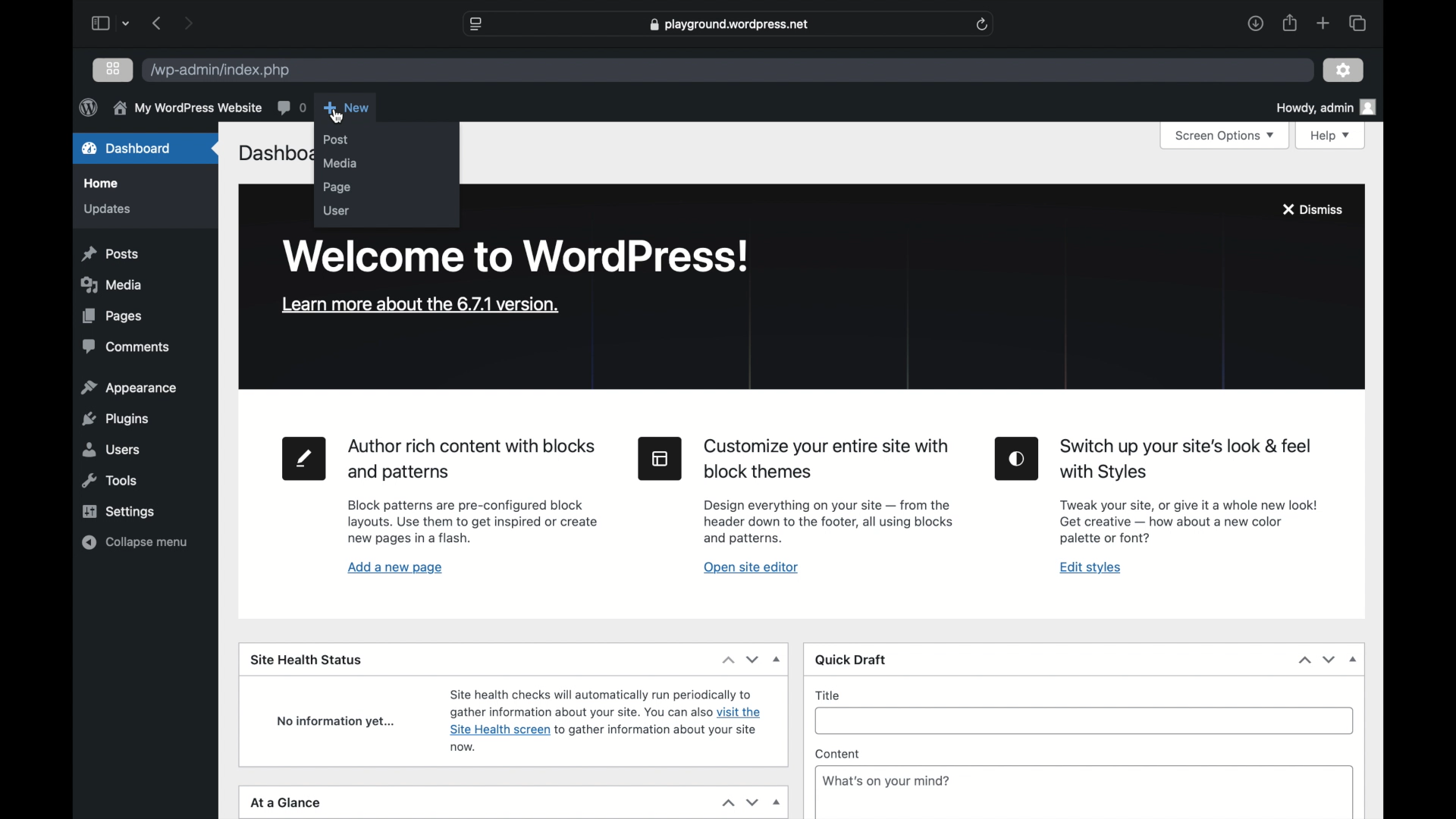  I want to click on website settings, so click(479, 24).